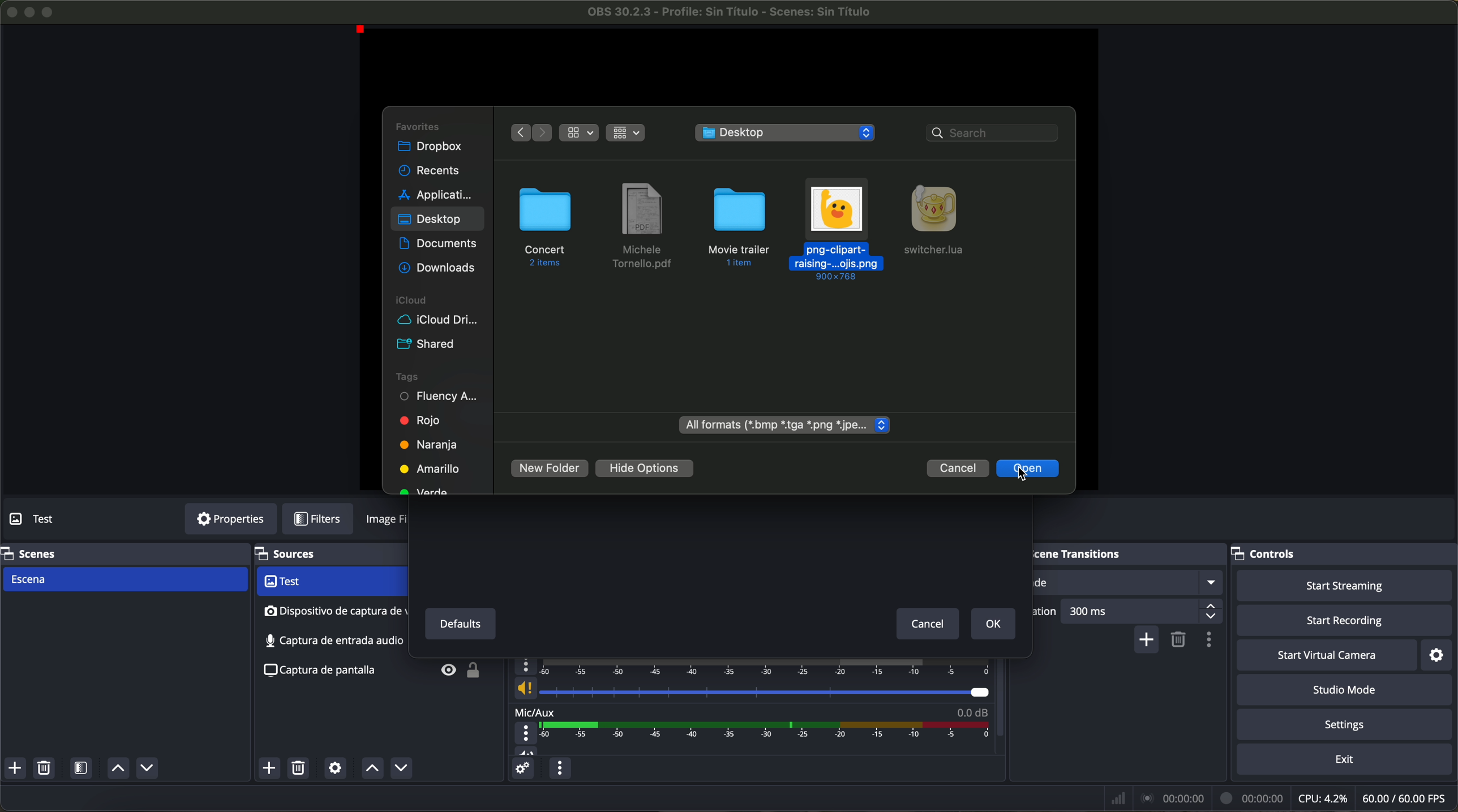 The height and width of the screenshot is (812, 1458). Describe the element at coordinates (559, 768) in the screenshot. I see `audio mixer menu` at that location.